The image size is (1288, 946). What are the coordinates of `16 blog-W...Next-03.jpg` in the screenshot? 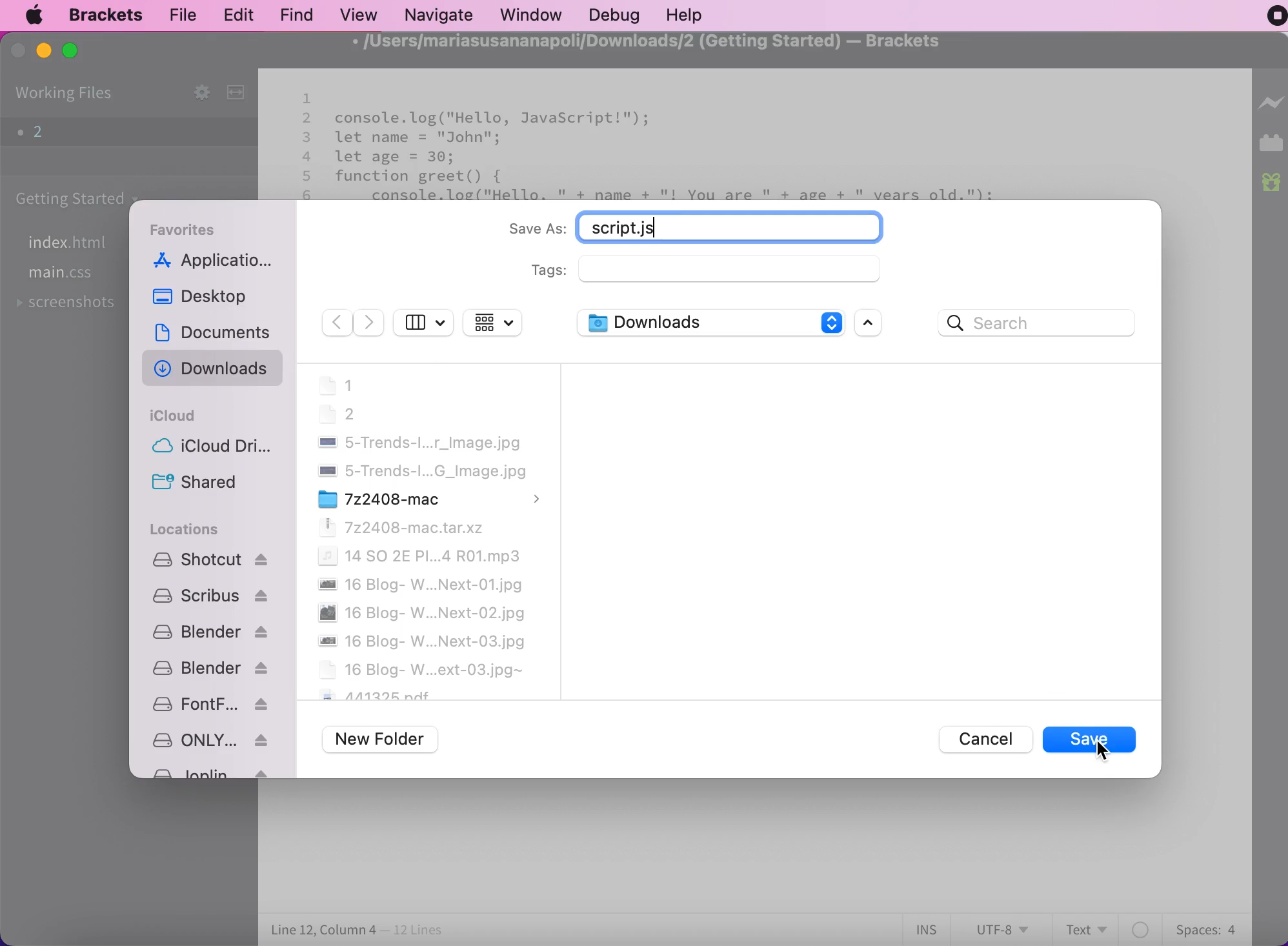 It's located at (422, 642).